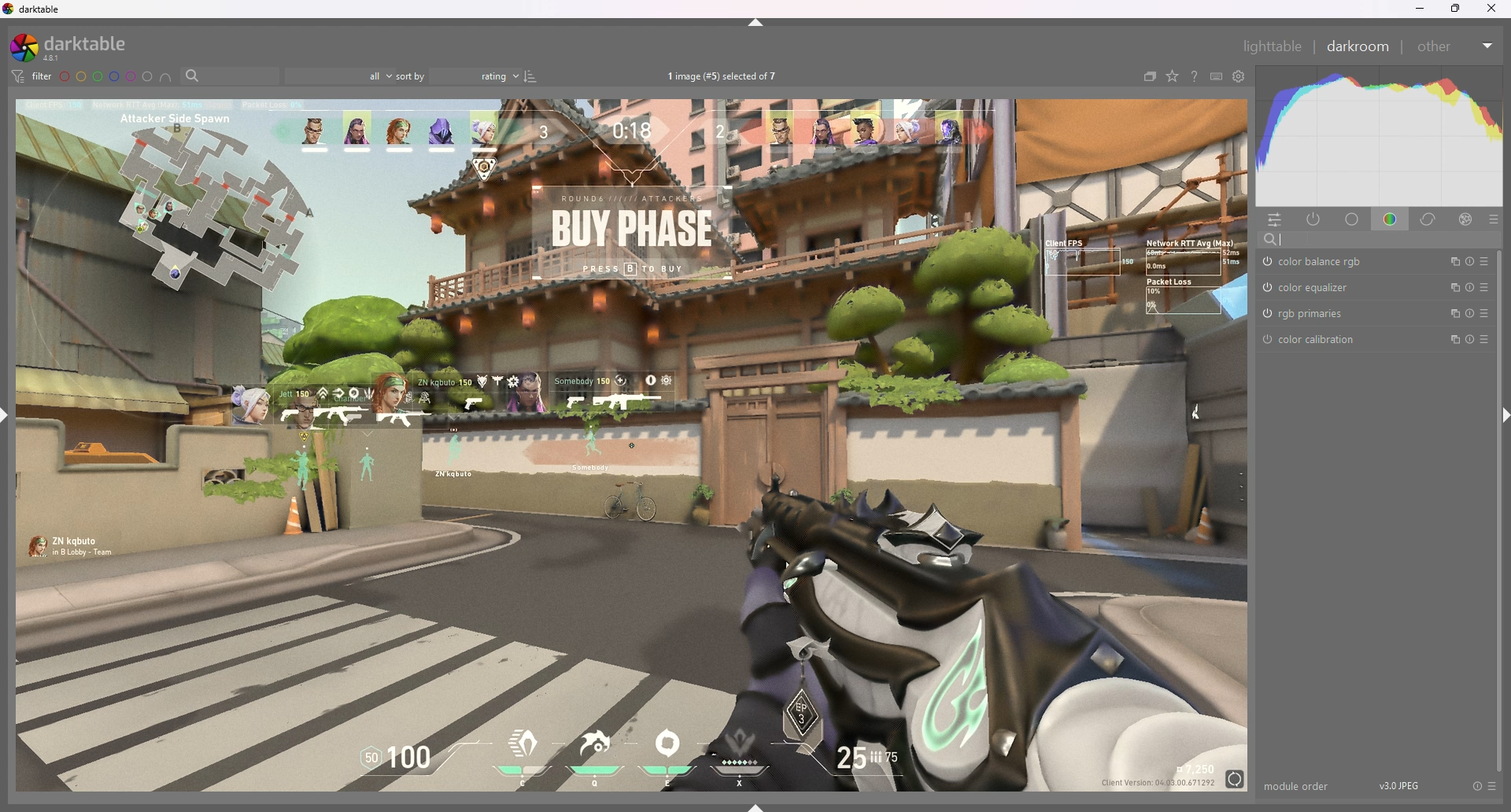 The height and width of the screenshot is (812, 1511). What do you see at coordinates (1469, 314) in the screenshot?
I see `reset` at bounding box center [1469, 314].